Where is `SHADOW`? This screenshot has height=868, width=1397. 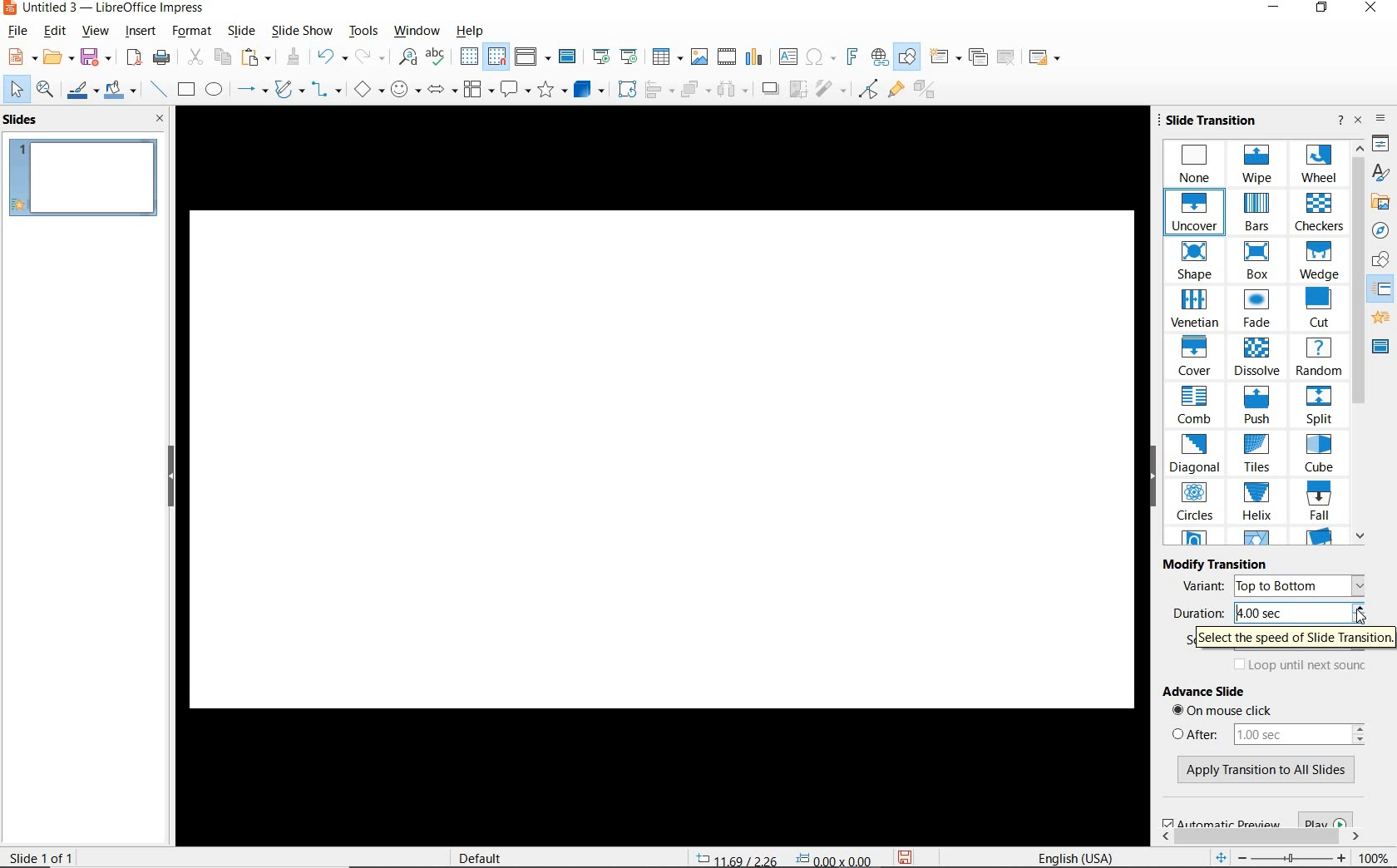
SHADOW is located at coordinates (770, 89).